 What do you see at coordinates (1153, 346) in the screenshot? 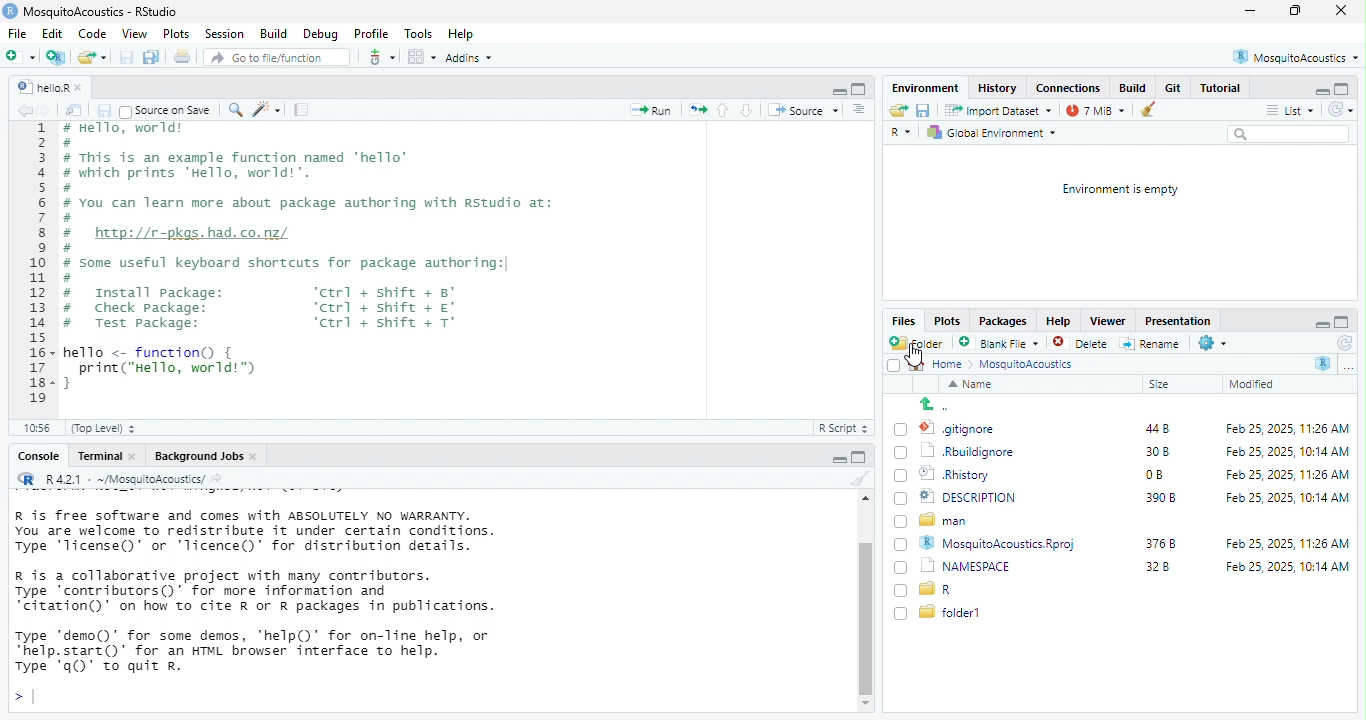
I see `rename` at bounding box center [1153, 346].